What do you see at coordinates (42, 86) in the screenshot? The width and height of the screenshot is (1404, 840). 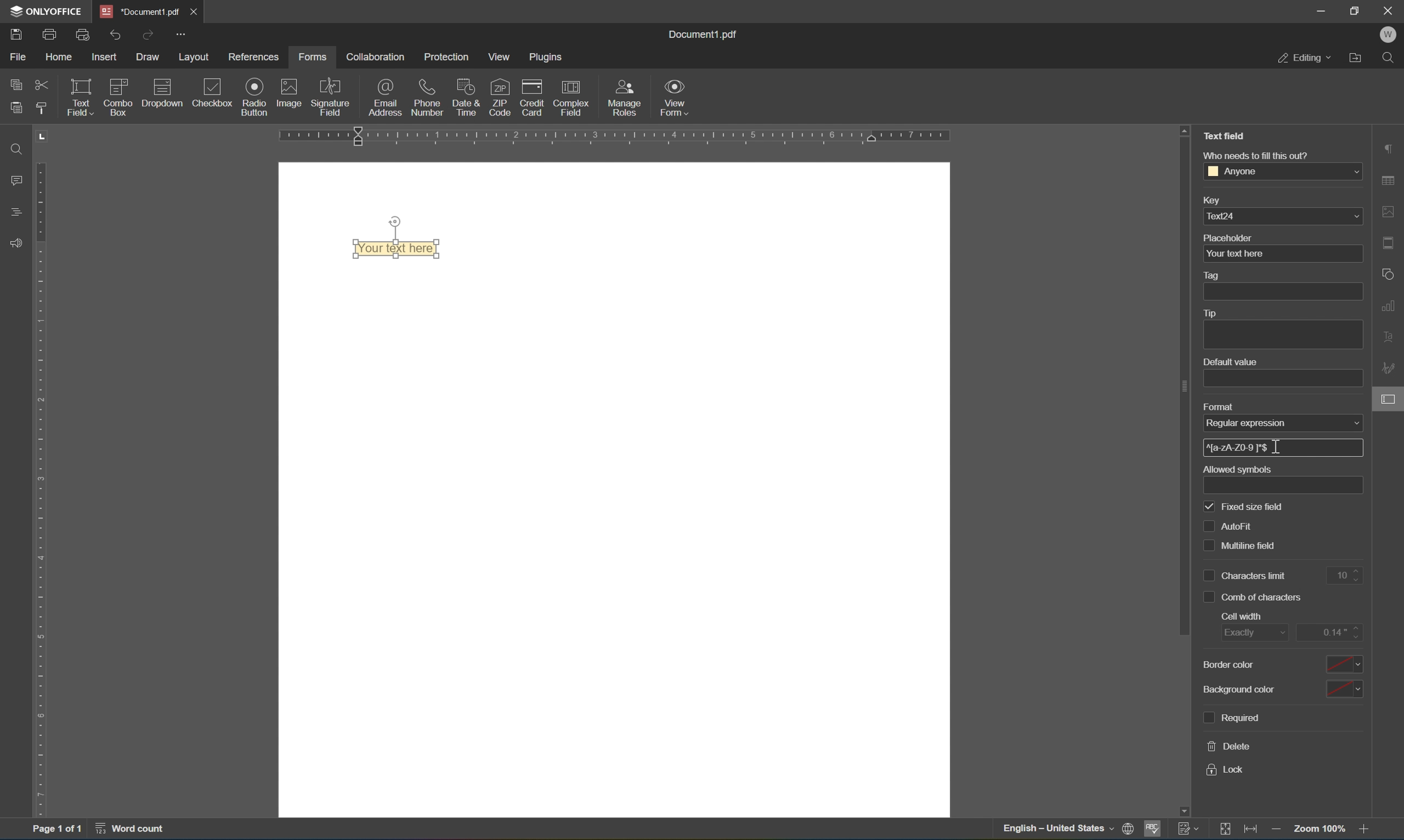 I see `cut` at bounding box center [42, 86].